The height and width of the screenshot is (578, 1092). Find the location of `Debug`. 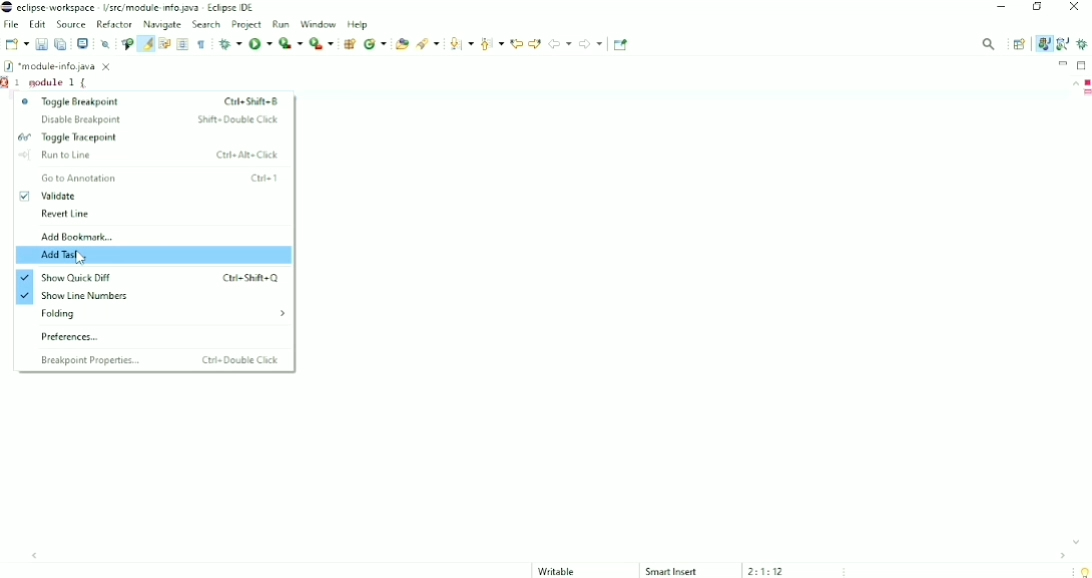

Debug is located at coordinates (1083, 44).